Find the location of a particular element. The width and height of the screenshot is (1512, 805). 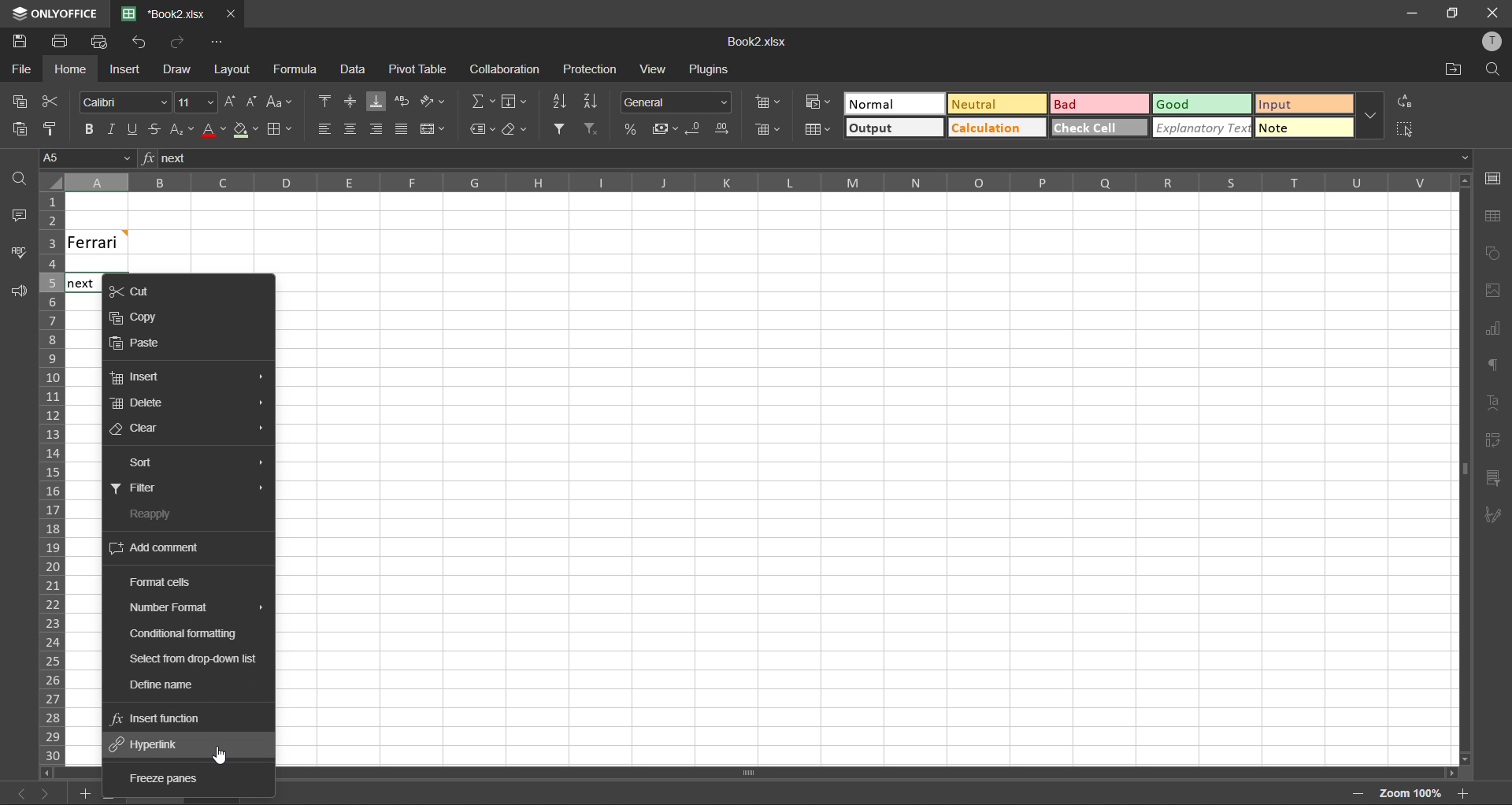

protection is located at coordinates (592, 70).